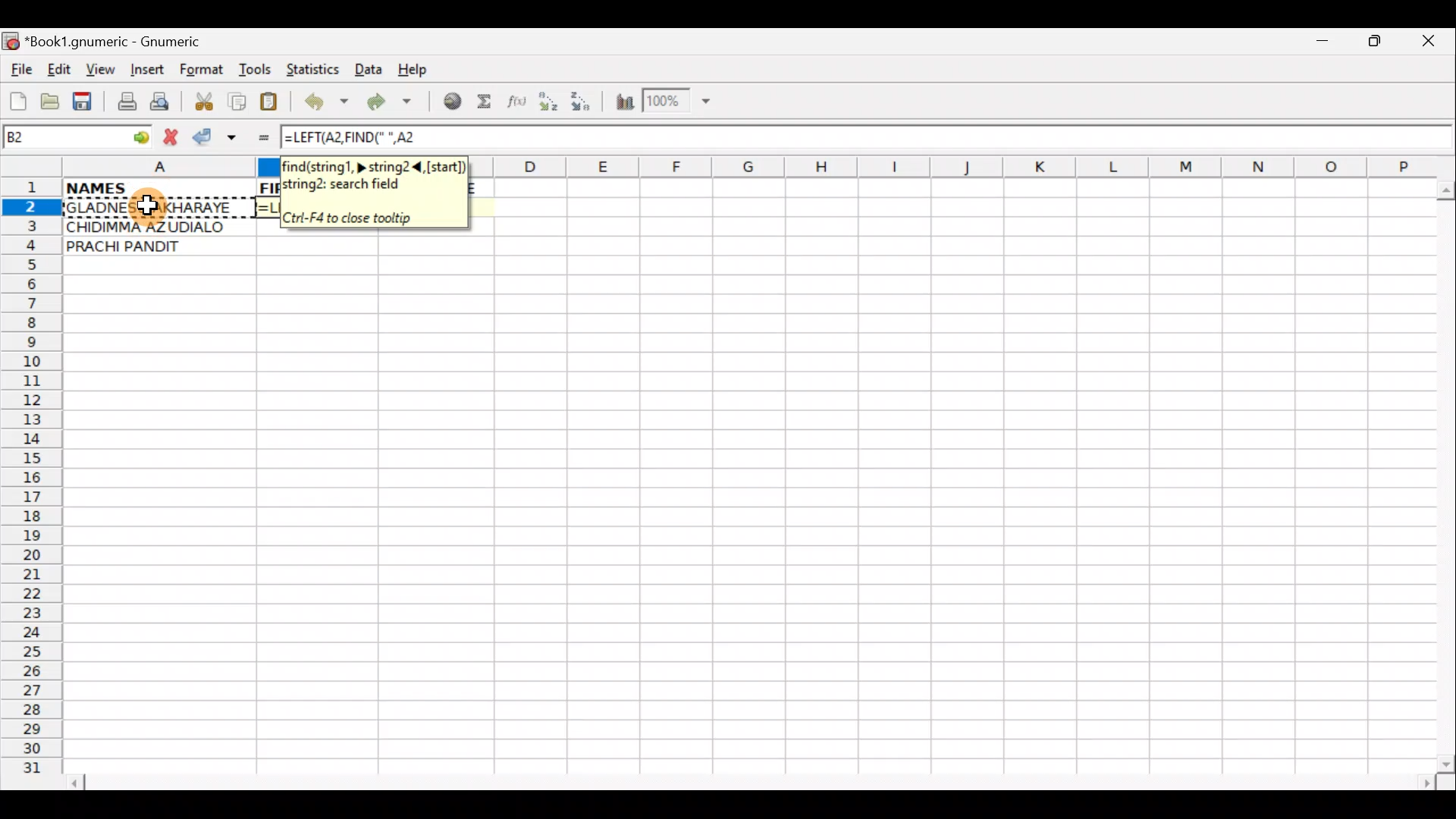 The width and height of the screenshot is (1456, 819). I want to click on Scroll bar, so click(1442, 473).